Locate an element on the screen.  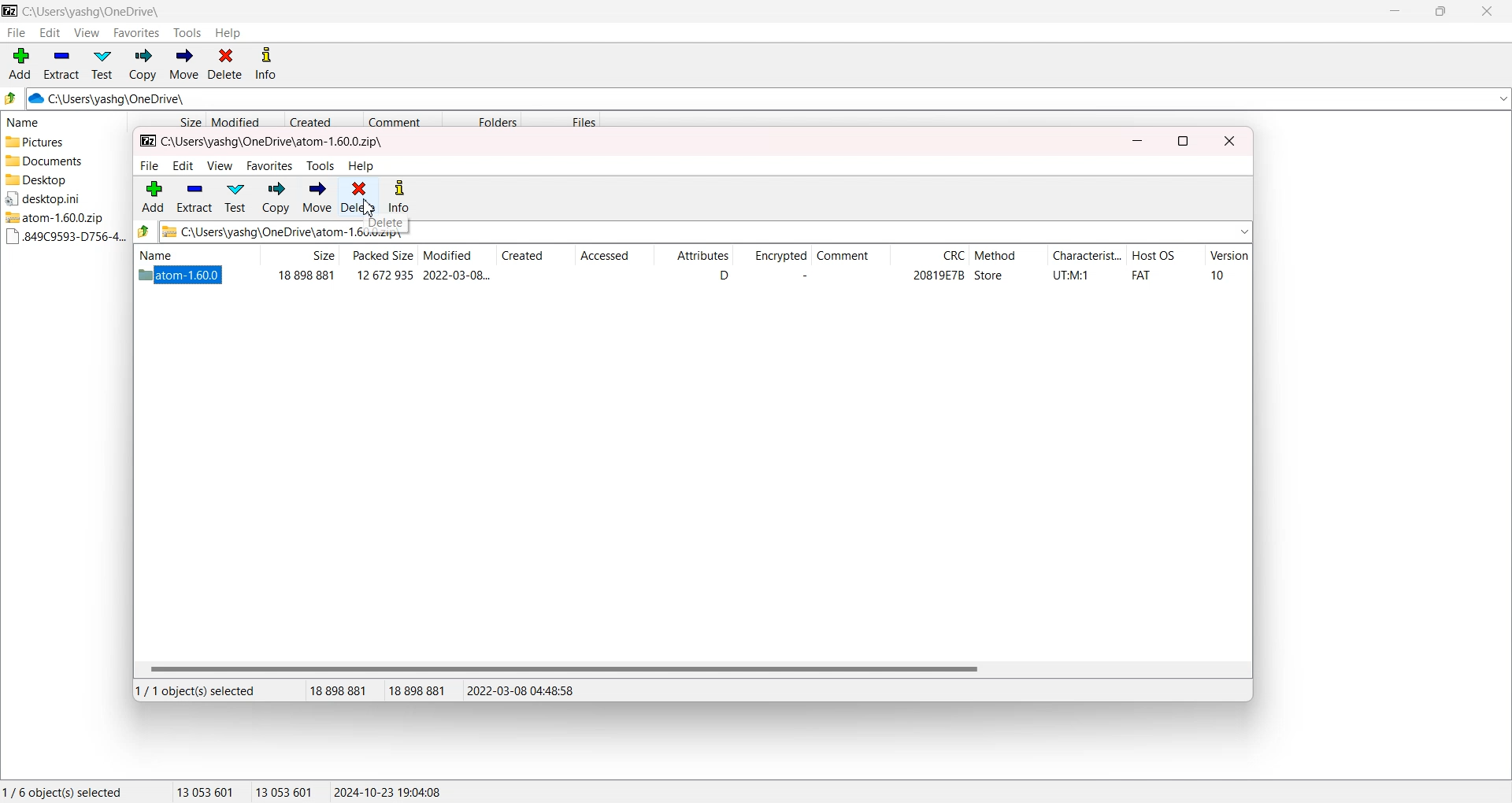
12 672 935 is located at coordinates (385, 275).